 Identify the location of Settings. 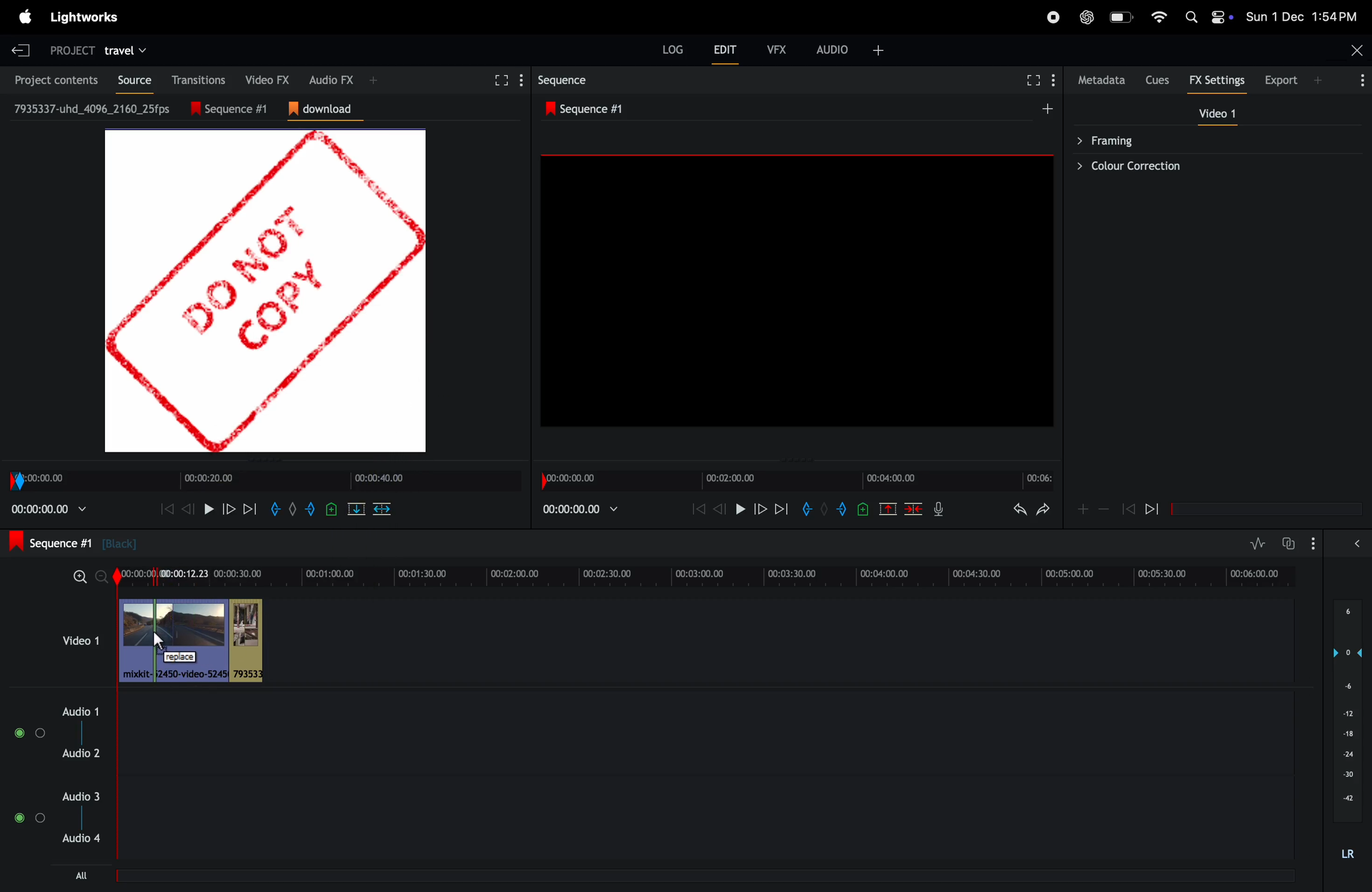
(522, 80).